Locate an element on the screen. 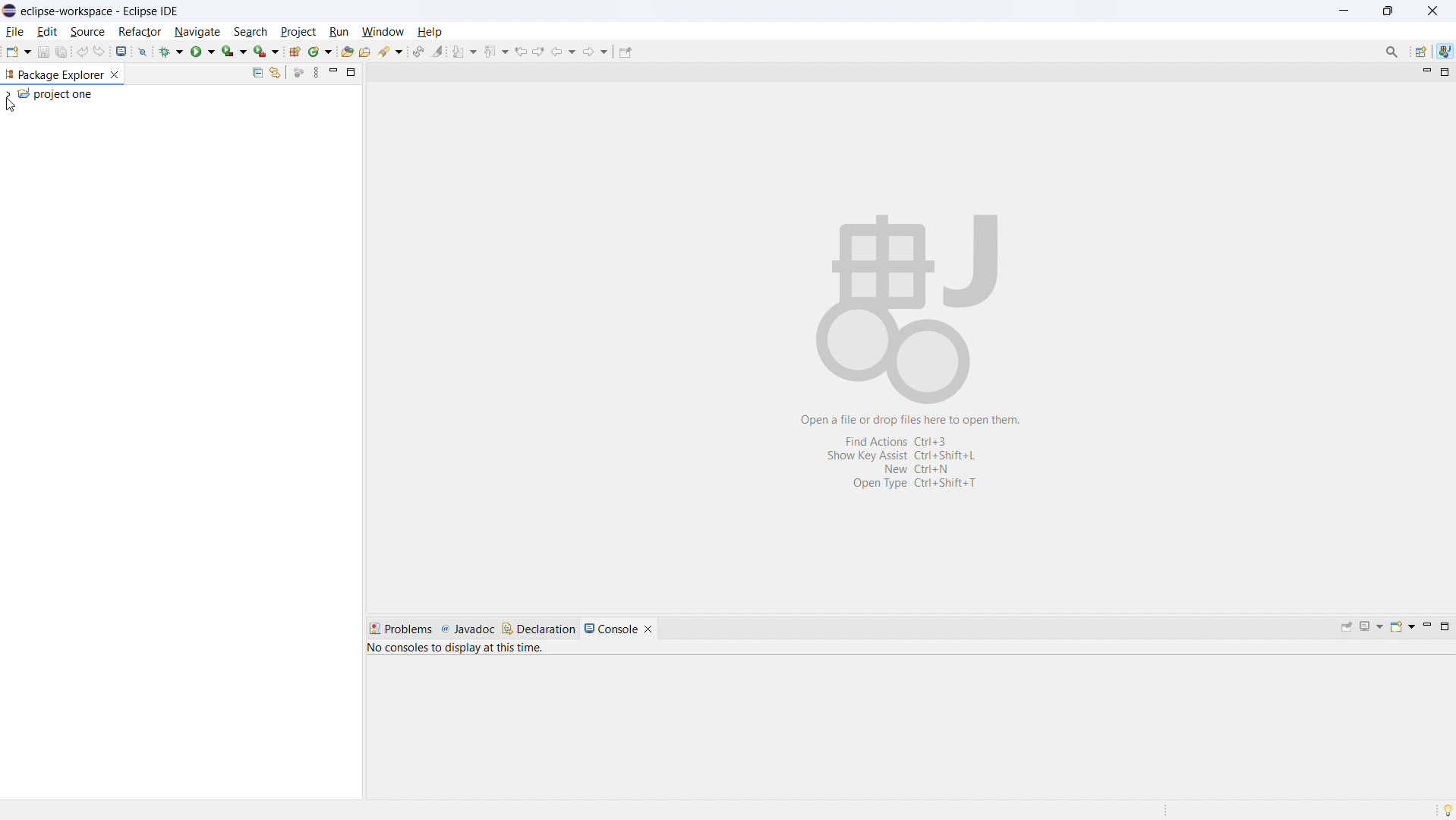  view menu is located at coordinates (317, 72).